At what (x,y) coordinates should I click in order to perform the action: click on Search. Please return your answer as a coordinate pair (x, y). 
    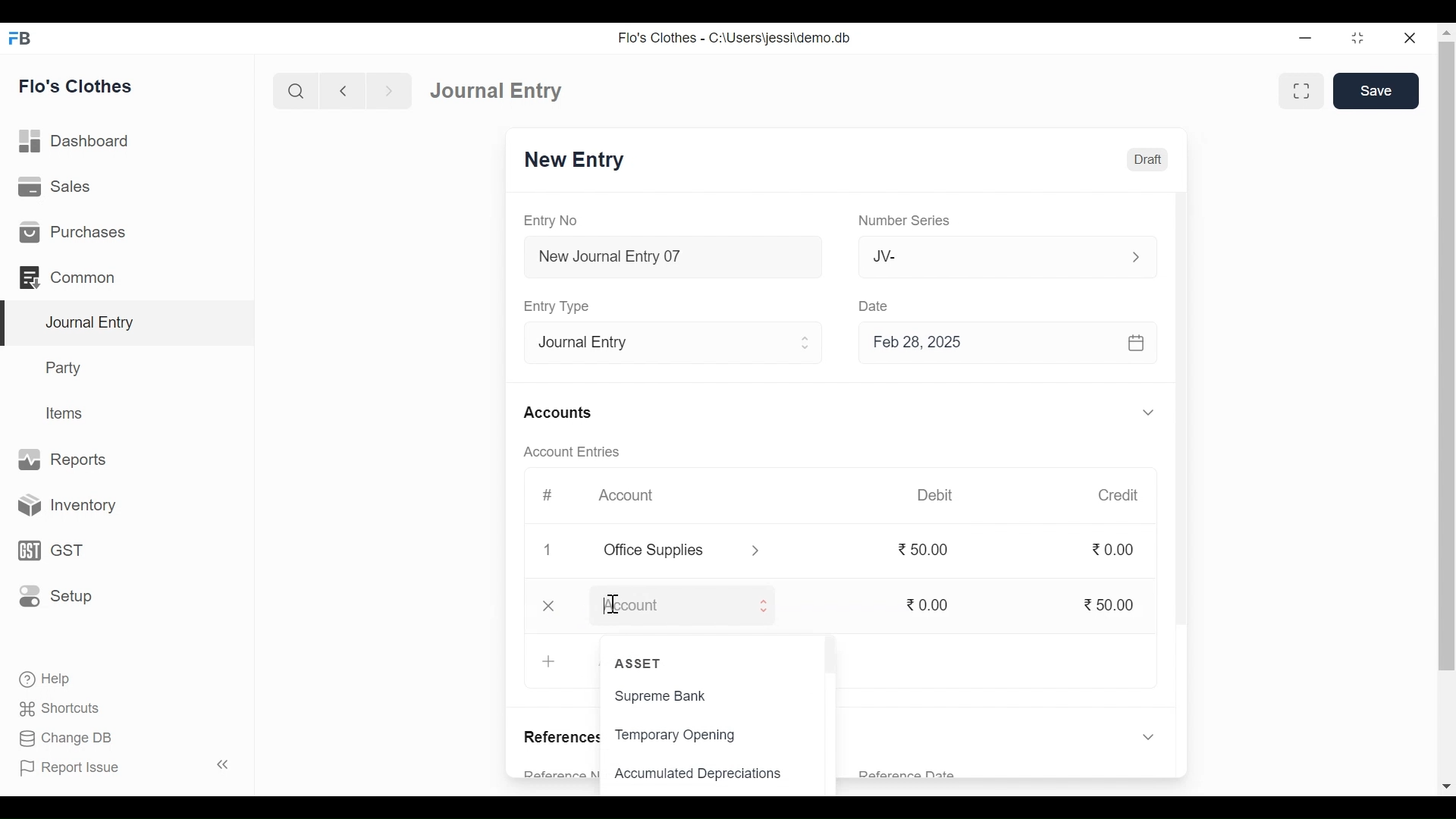
    Looking at the image, I should click on (296, 92).